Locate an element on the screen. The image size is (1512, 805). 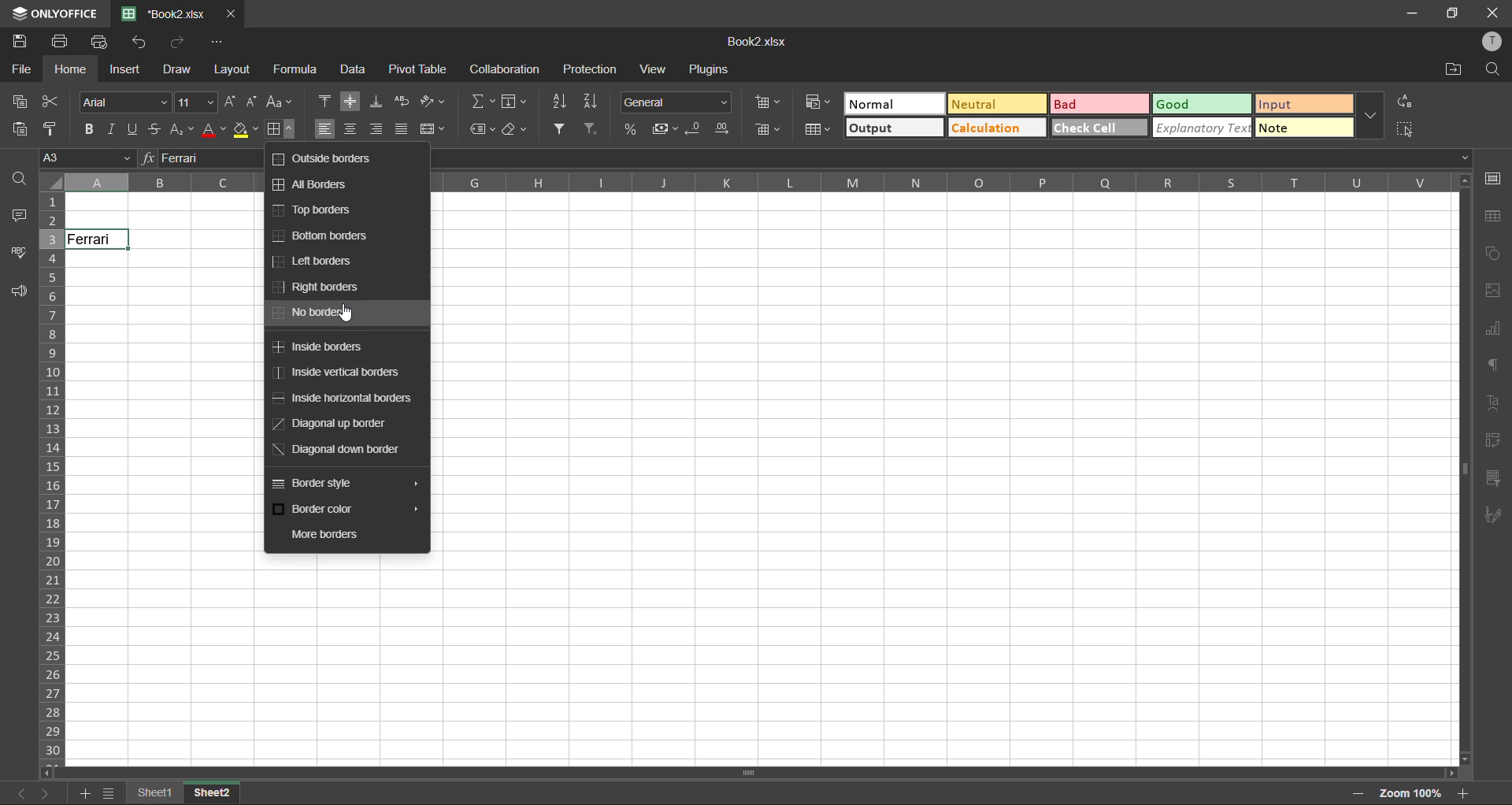
find is located at coordinates (1492, 70).